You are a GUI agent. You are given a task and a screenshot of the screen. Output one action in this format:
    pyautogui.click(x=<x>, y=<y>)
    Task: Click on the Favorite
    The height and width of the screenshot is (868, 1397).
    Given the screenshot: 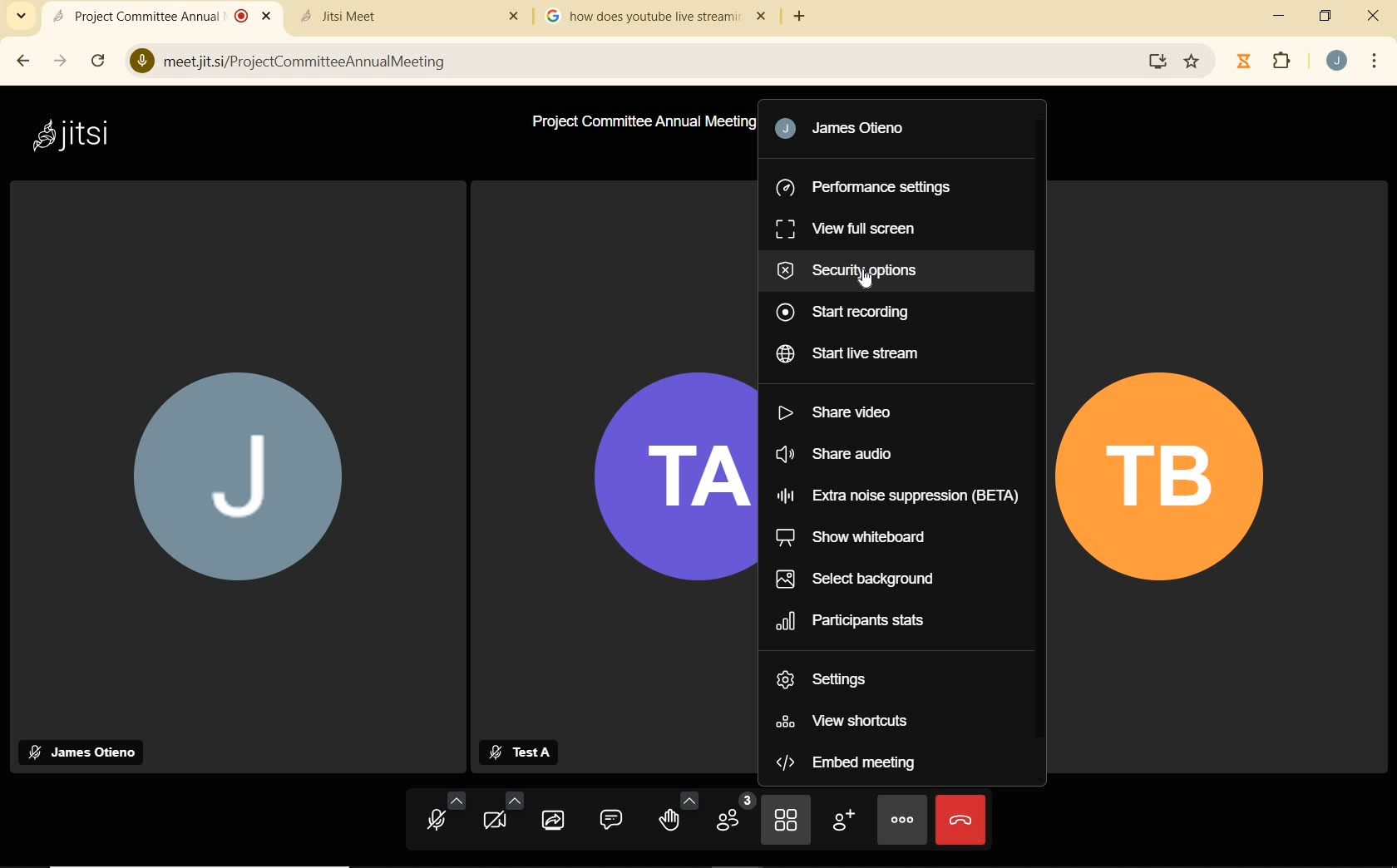 What is the action you would take?
    pyautogui.click(x=1192, y=57)
    